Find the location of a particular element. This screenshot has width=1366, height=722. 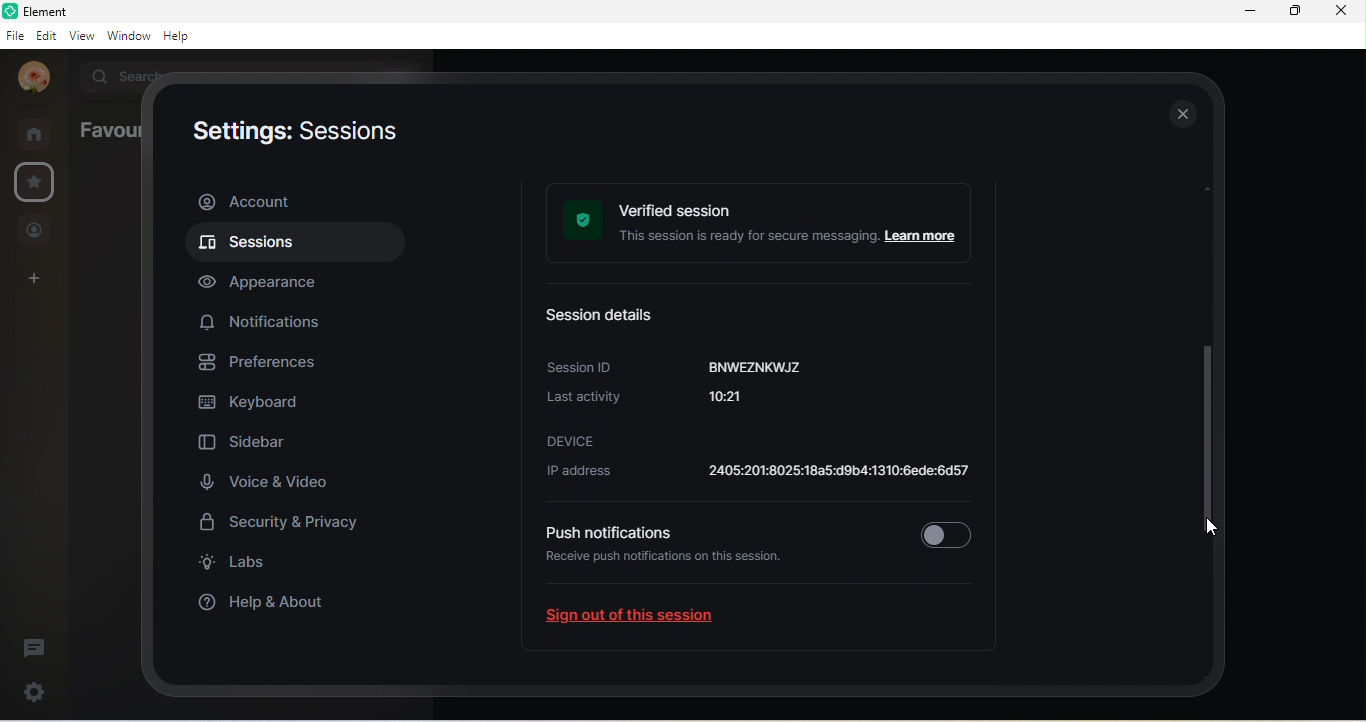

sidebar is located at coordinates (248, 445).